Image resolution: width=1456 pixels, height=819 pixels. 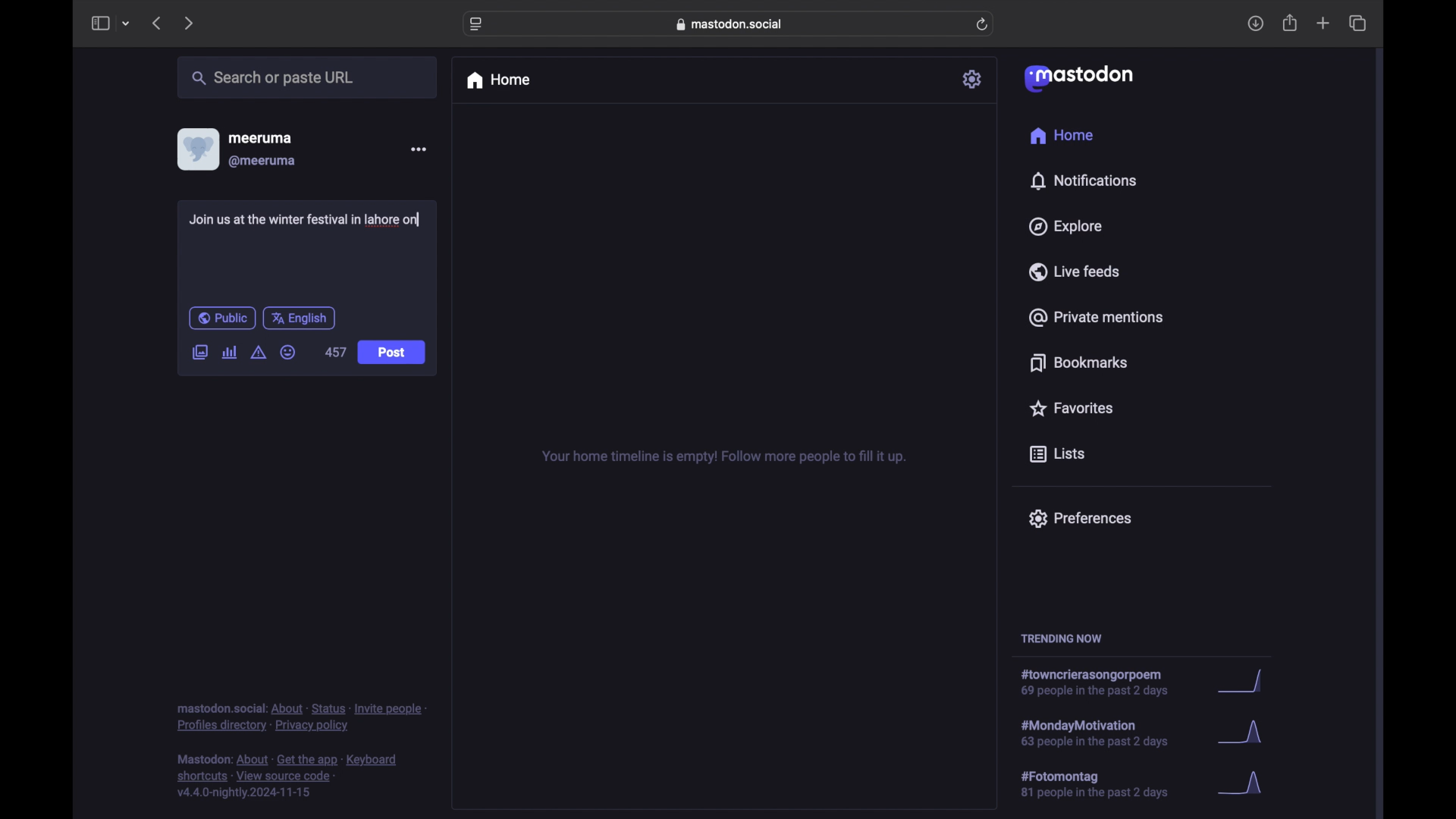 What do you see at coordinates (262, 162) in the screenshot?
I see `@meeruma` at bounding box center [262, 162].